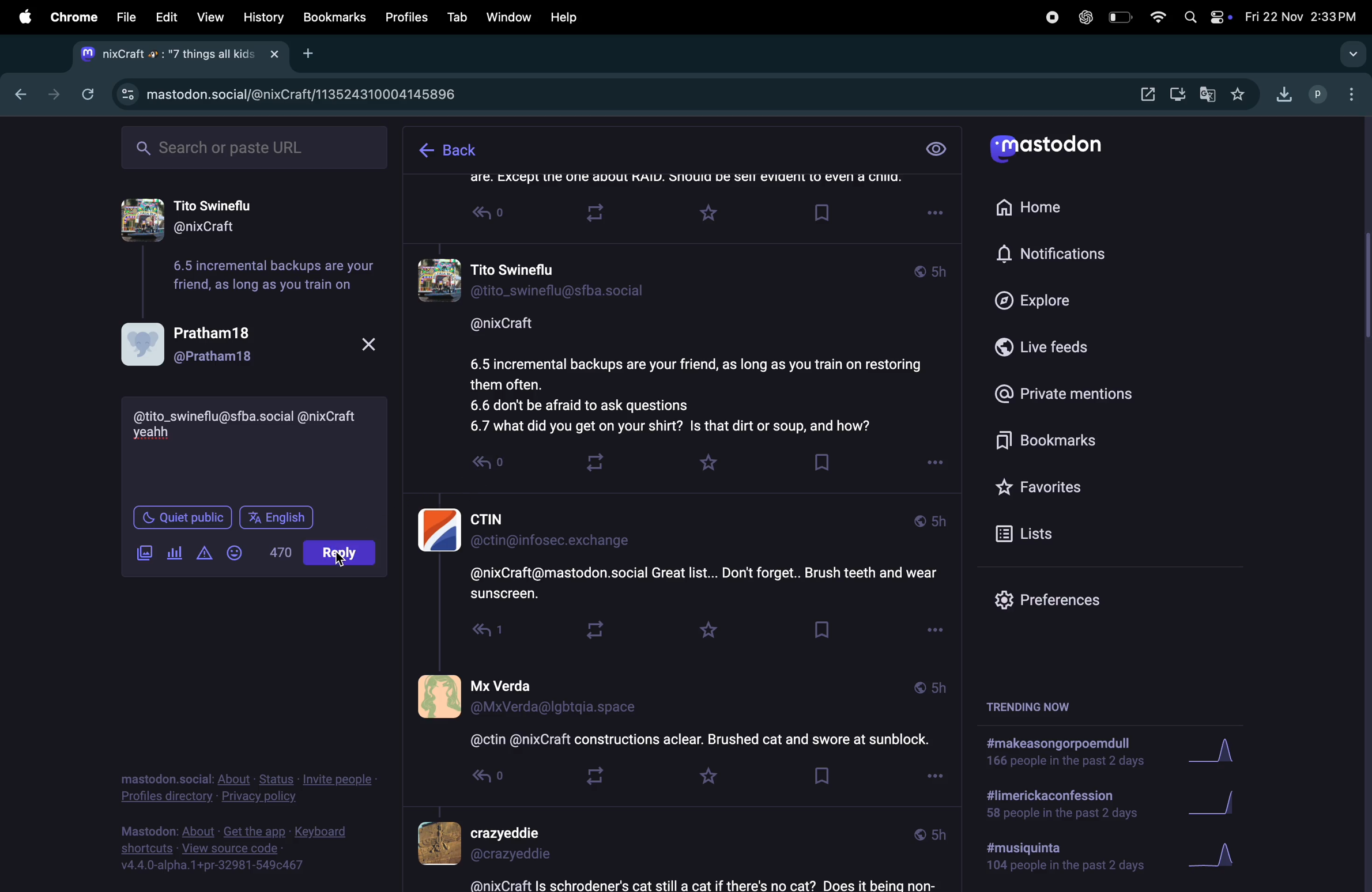 The image size is (1372, 892). What do you see at coordinates (1317, 96) in the screenshot?
I see `profile` at bounding box center [1317, 96].